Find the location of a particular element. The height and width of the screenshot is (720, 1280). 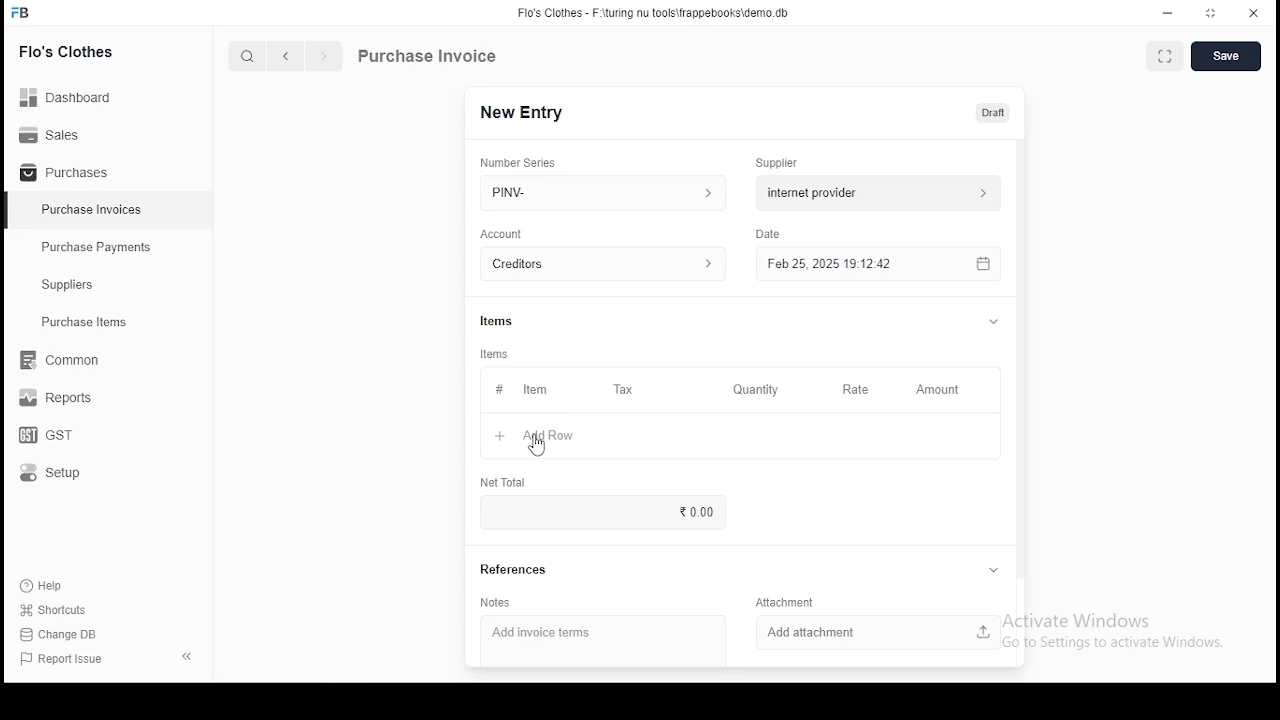

purchase information is located at coordinates (428, 57).